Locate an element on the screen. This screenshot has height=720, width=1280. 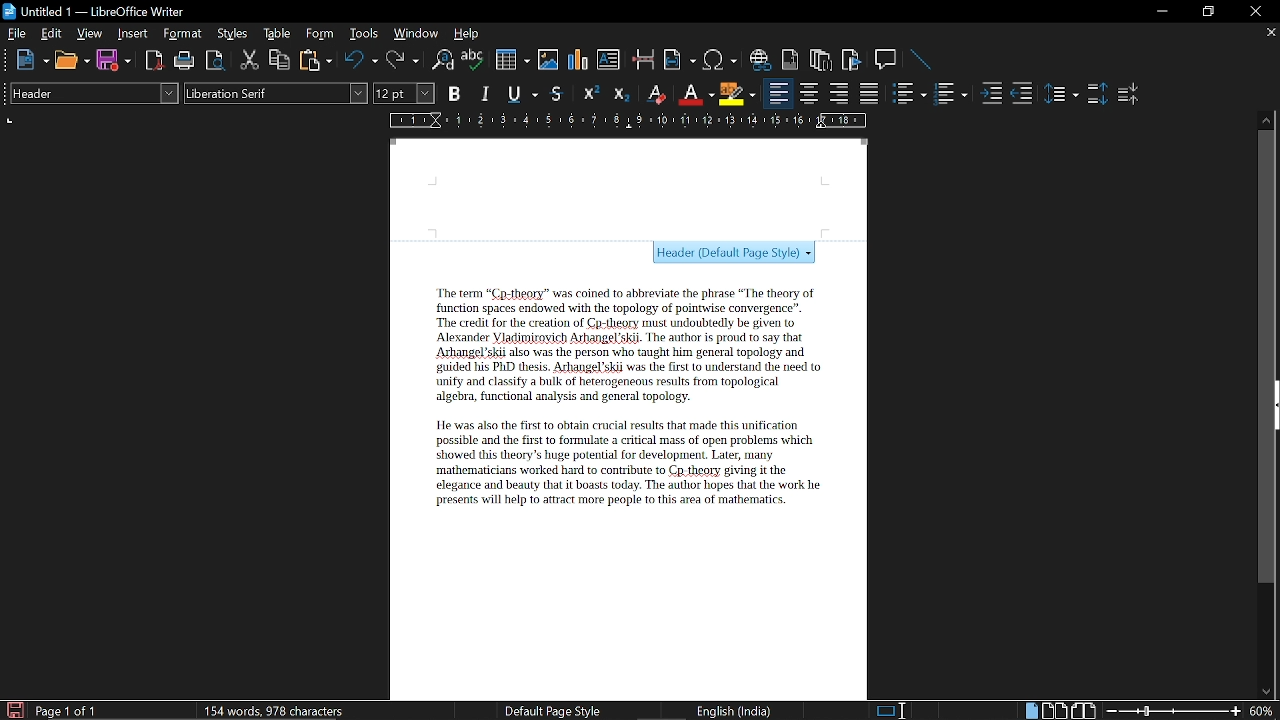
Single page view is located at coordinates (1031, 710).